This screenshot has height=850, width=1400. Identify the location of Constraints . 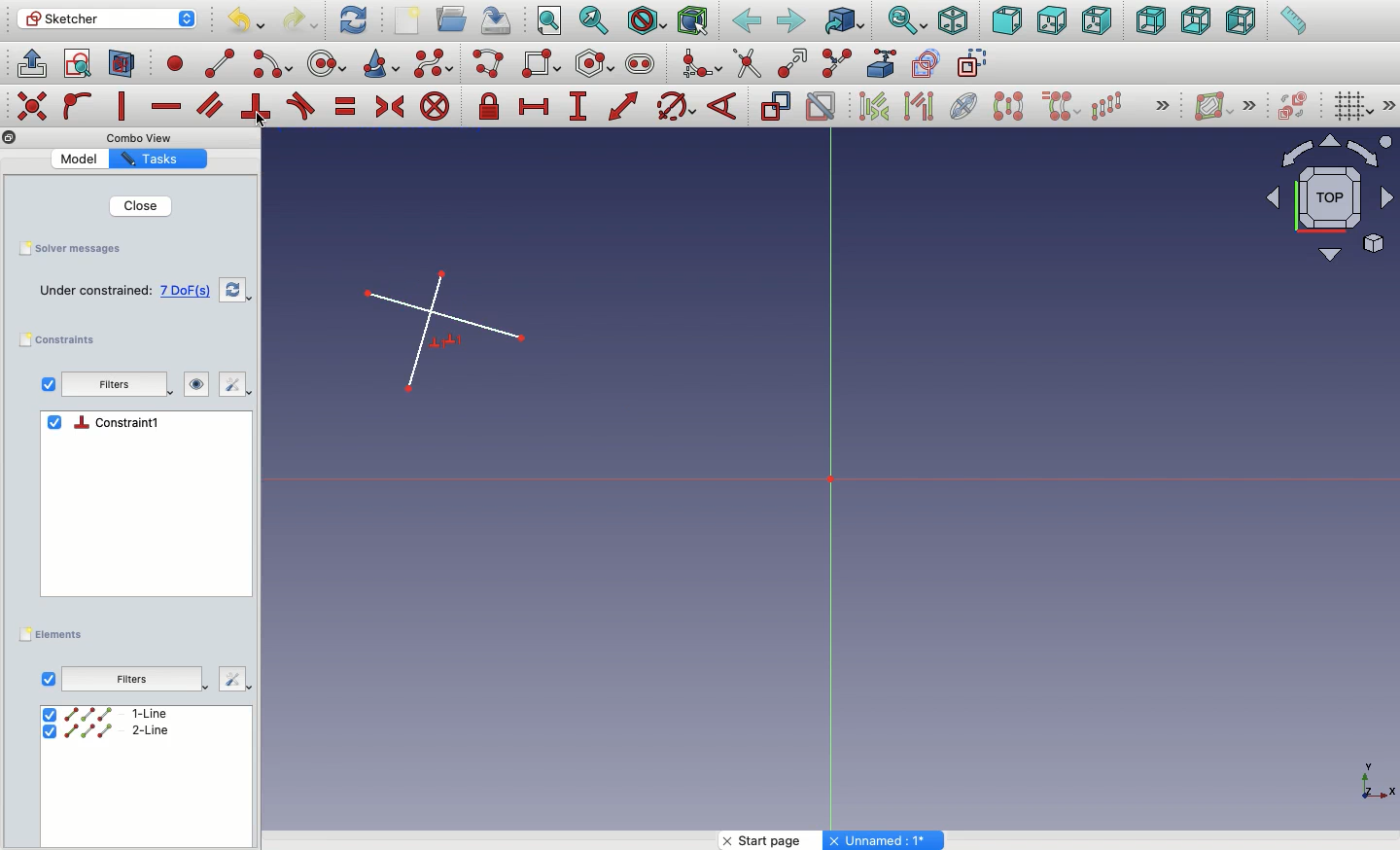
(102, 424).